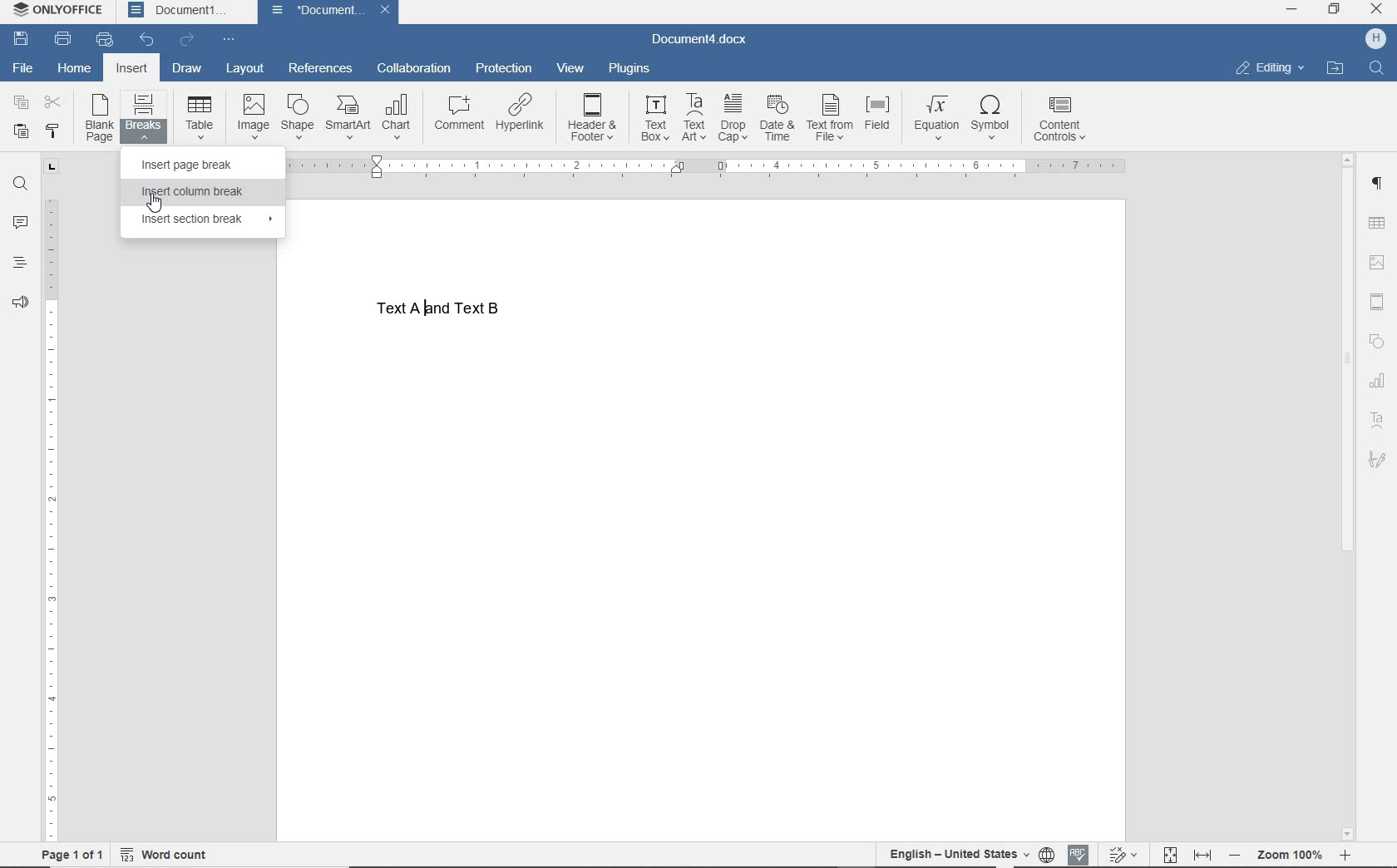 Image resolution: width=1397 pixels, height=868 pixels. What do you see at coordinates (778, 121) in the screenshot?
I see `DATE & TIME` at bounding box center [778, 121].